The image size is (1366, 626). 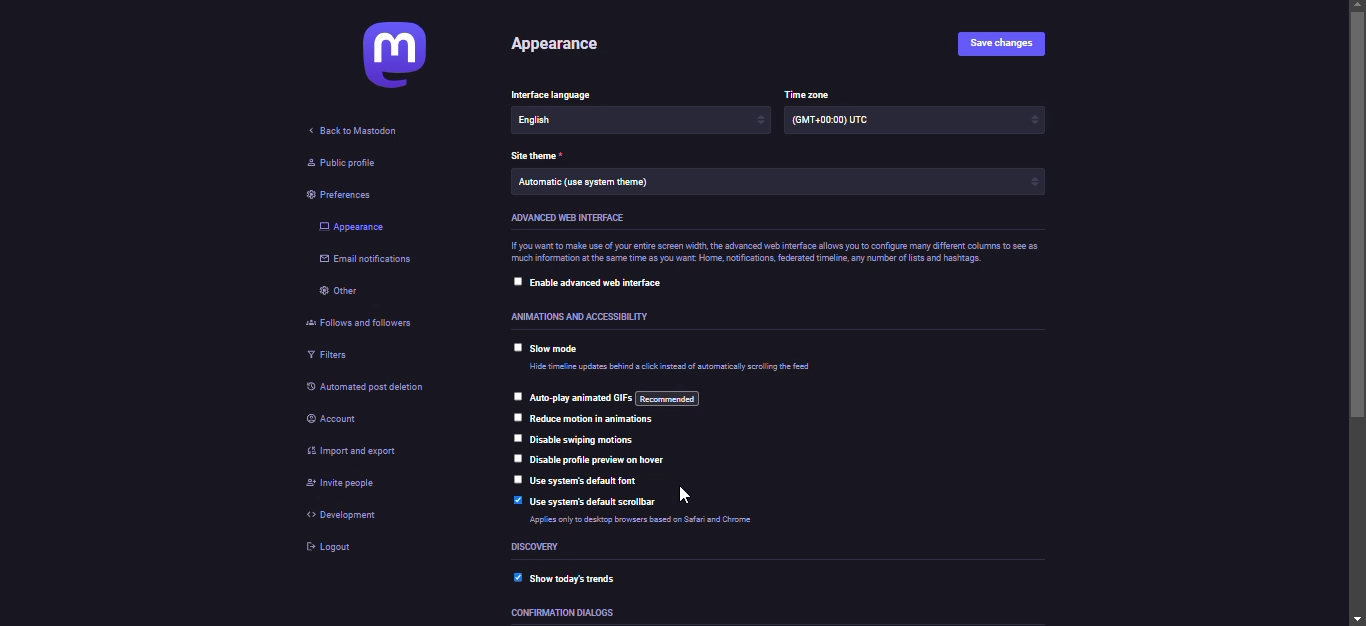 What do you see at coordinates (557, 92) in the screenshot?
I see `language` at bounding box center [557, 92].